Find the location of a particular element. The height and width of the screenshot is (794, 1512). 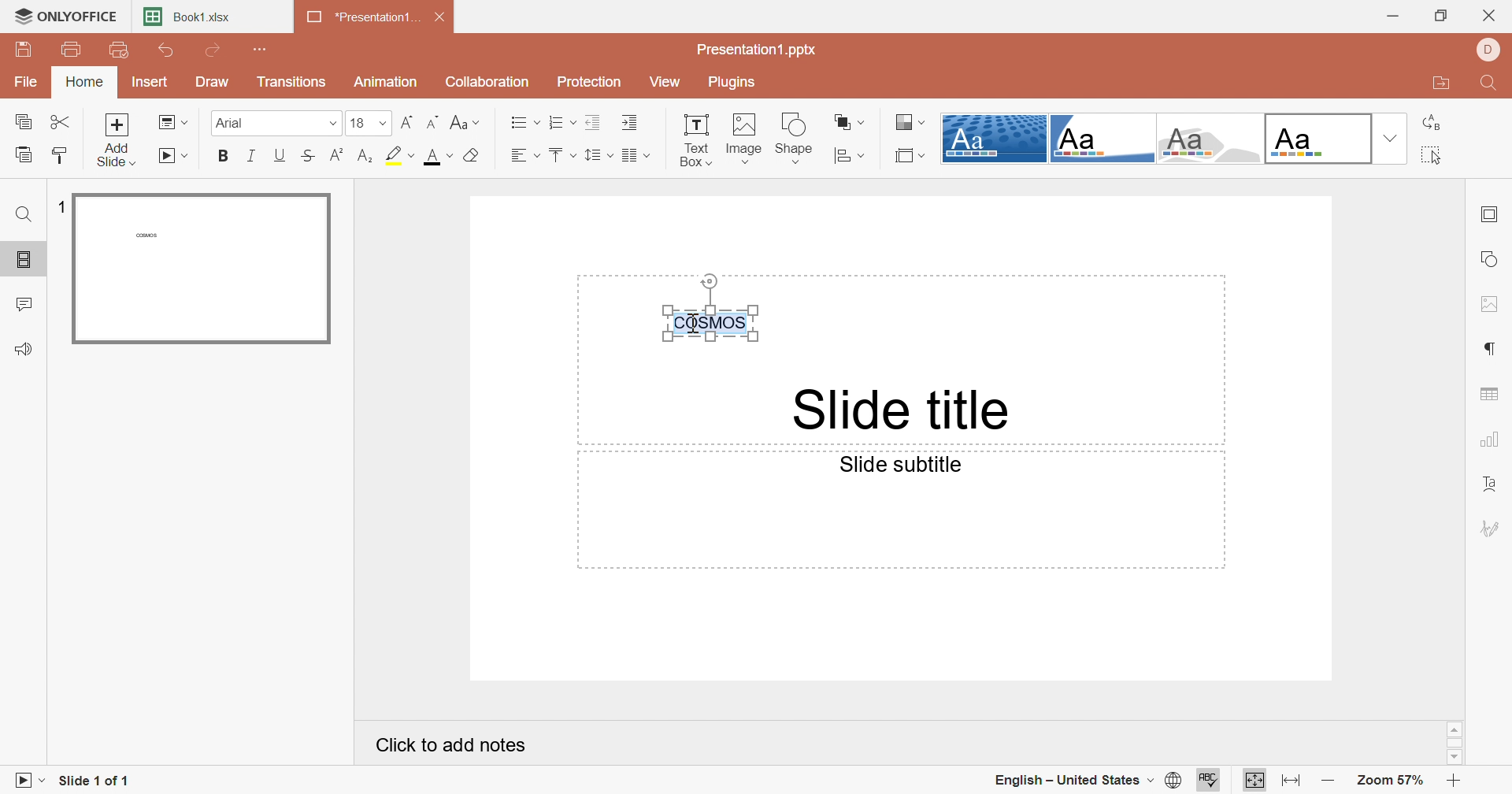

1 is located at coordinates (60, 206).